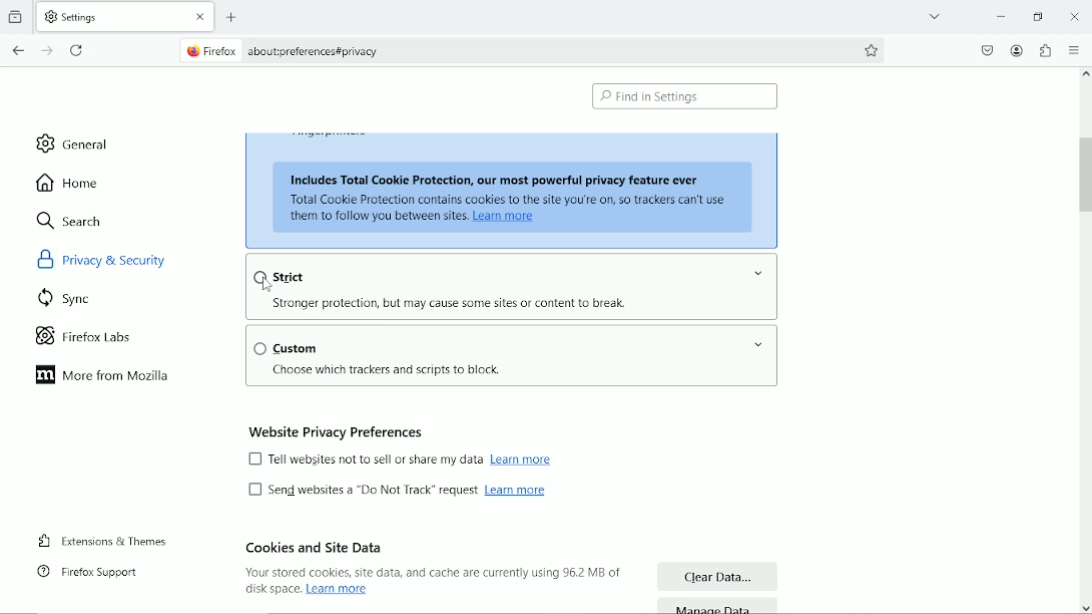 Image resolution: width=1092 pixels, height=614 pixels. Describe the element at coordinates (47, 50) in the screenshot. I see `go forward` at that location.